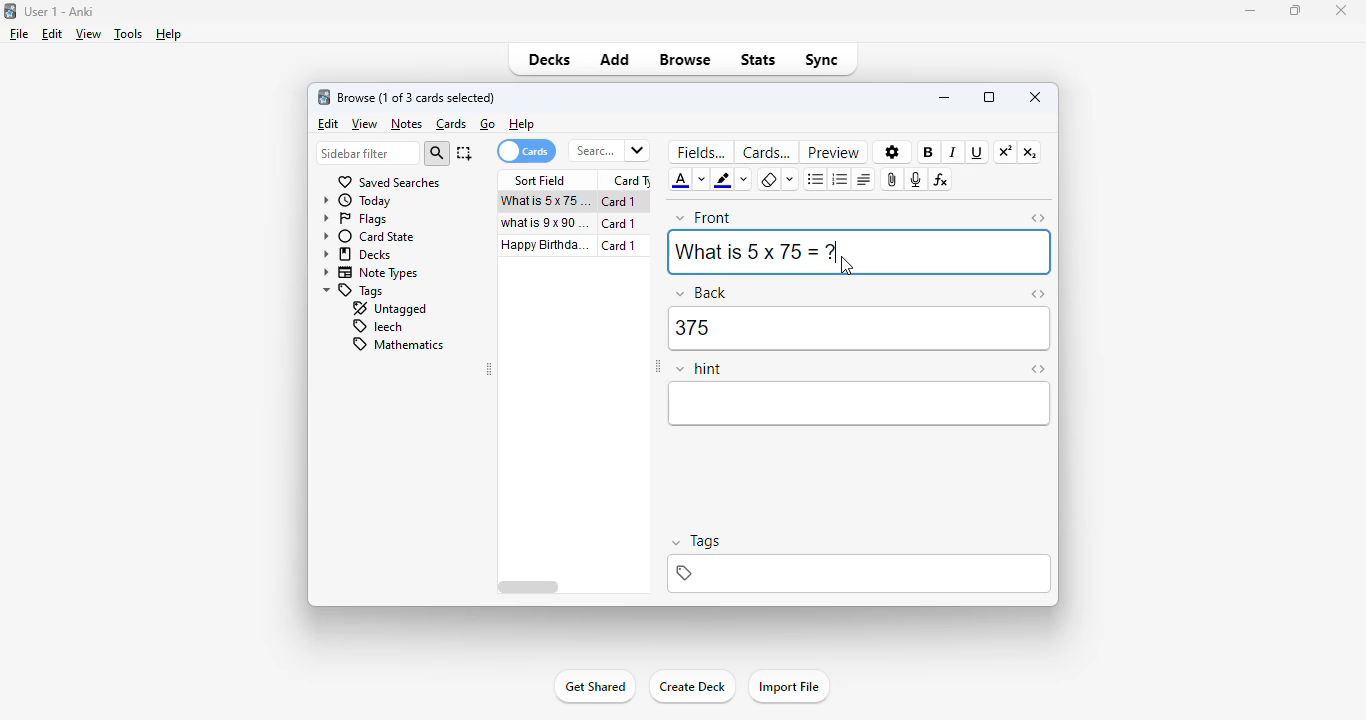 The height and width of the screenshot is (720, 1366). What do you see at coordinates (942, 179) in the screenshot?
I see `equations` at bounding box center [942, 179].